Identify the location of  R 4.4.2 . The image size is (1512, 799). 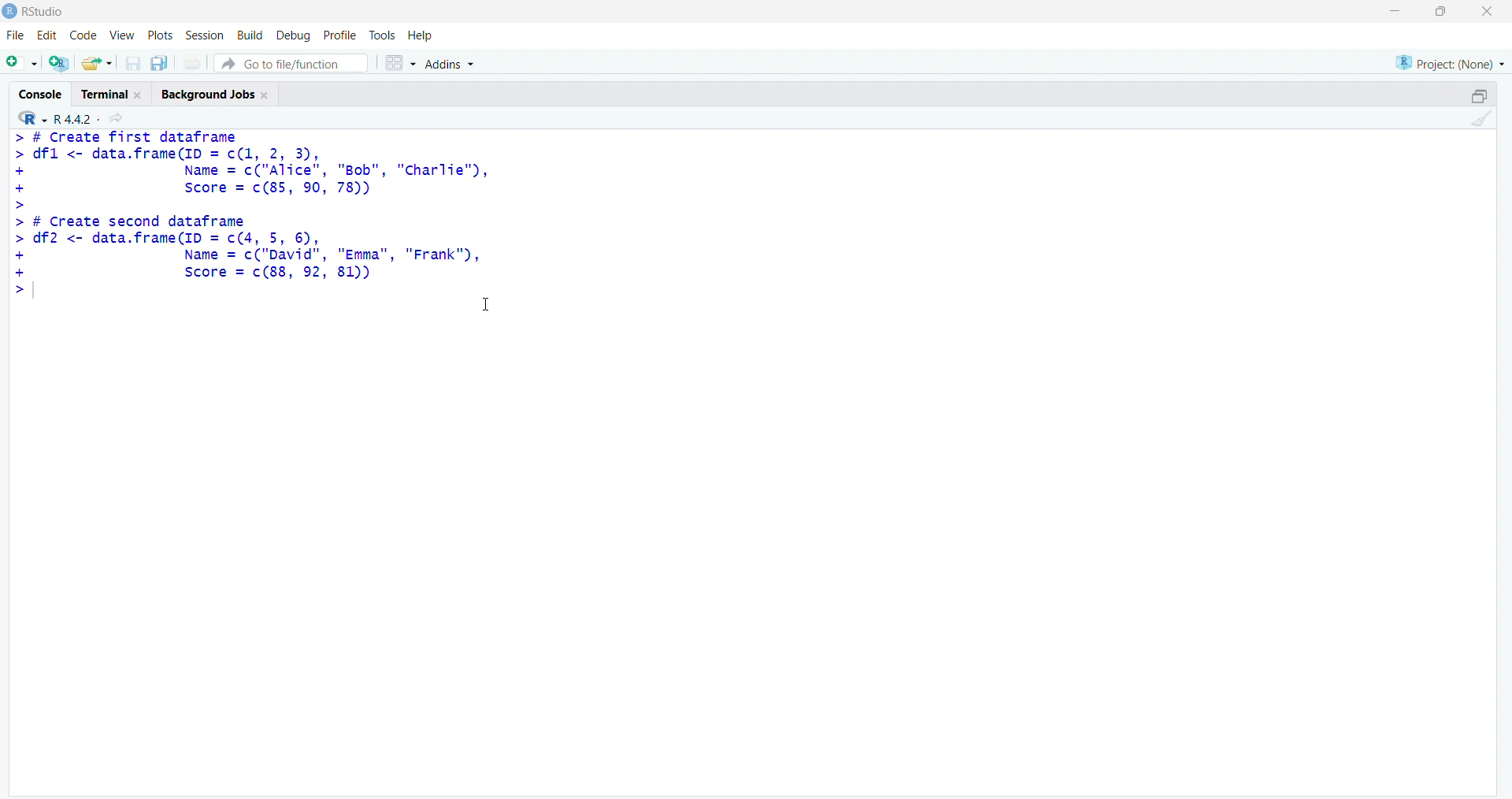
(57, 117).